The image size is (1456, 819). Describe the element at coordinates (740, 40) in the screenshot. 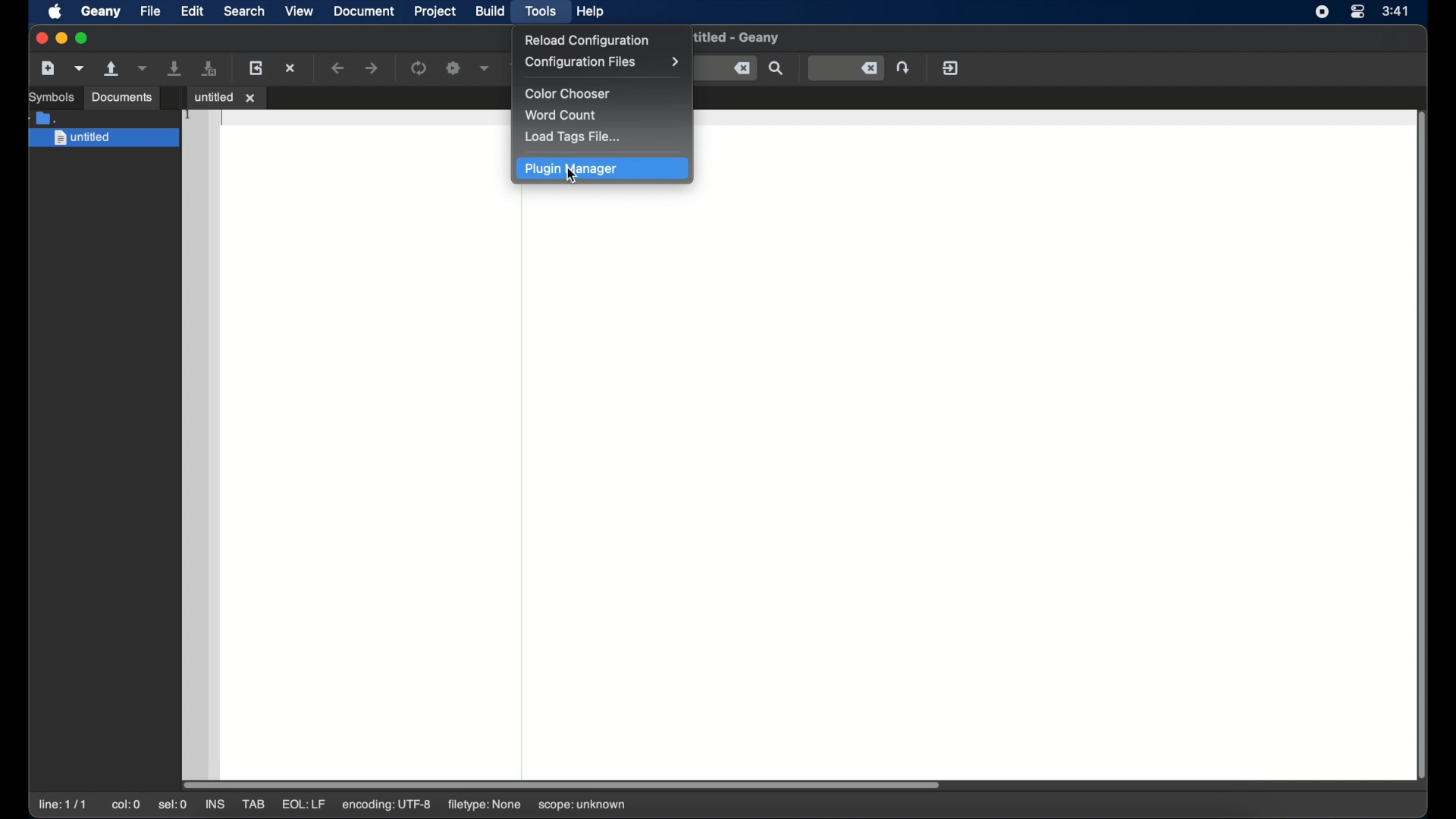

I see `untitled - geany` at that location.